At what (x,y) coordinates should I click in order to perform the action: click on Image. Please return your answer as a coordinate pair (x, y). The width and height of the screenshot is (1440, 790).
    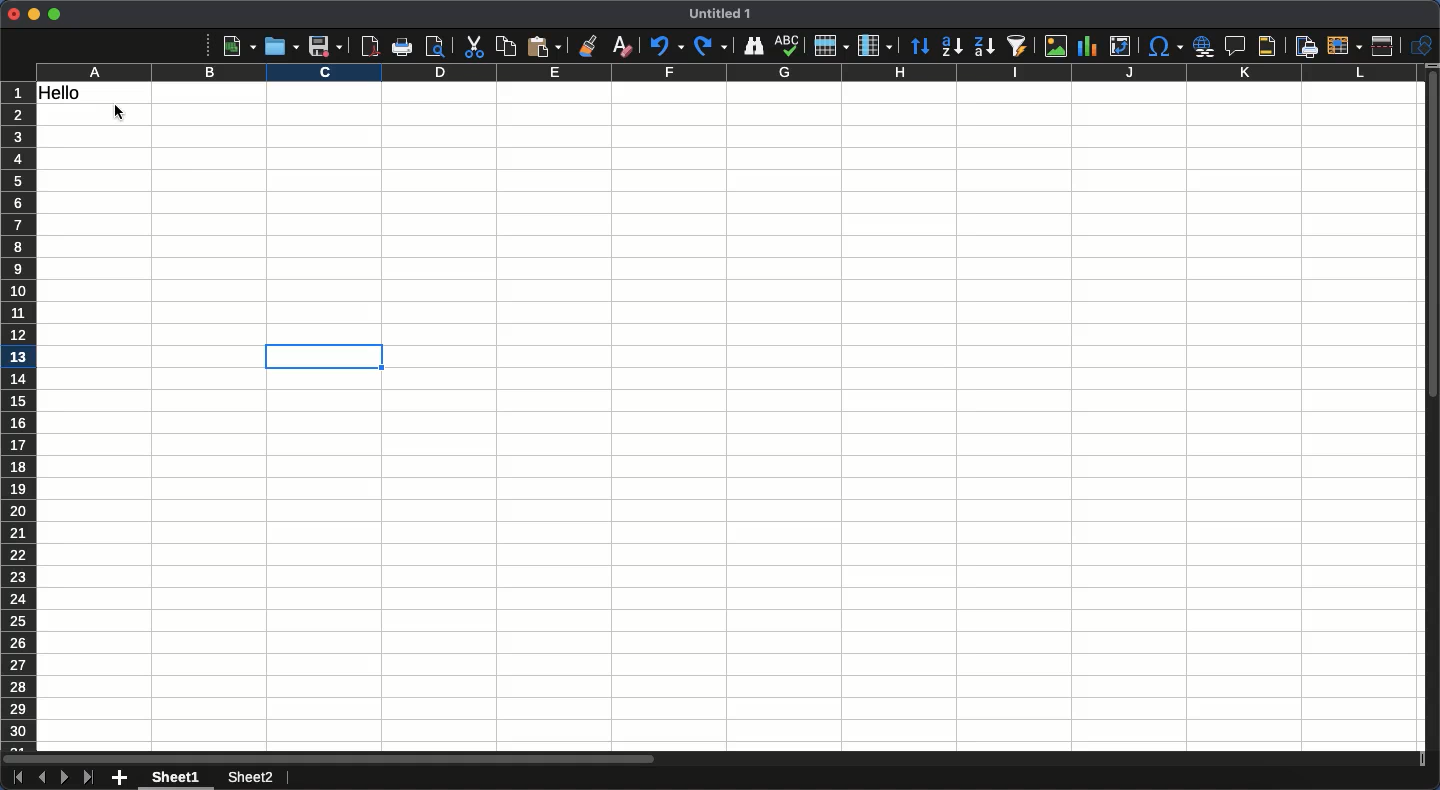
    Looking at the image, I should click on (1051, 46).